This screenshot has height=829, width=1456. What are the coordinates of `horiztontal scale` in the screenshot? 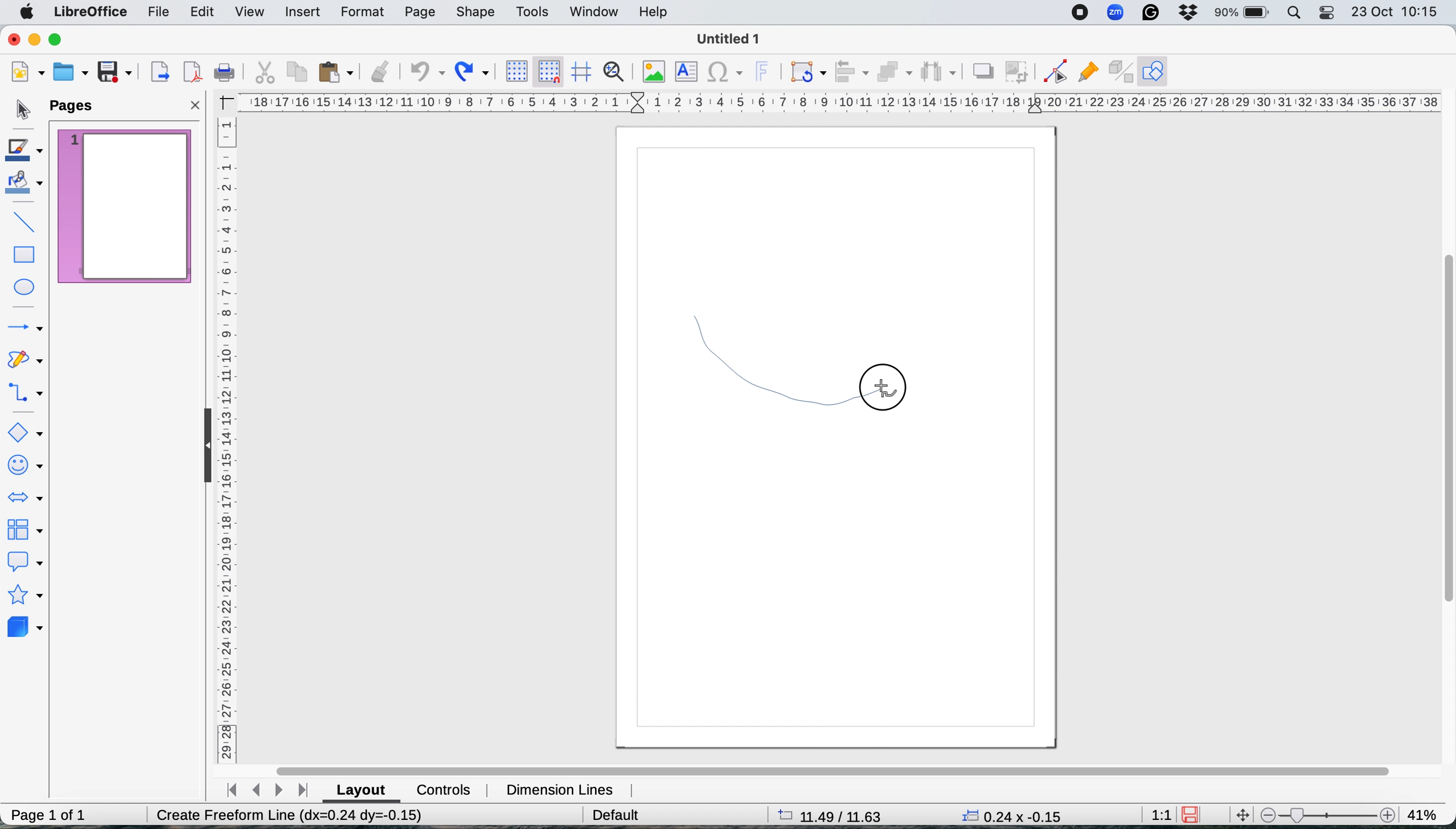 It's located at (839, 102).